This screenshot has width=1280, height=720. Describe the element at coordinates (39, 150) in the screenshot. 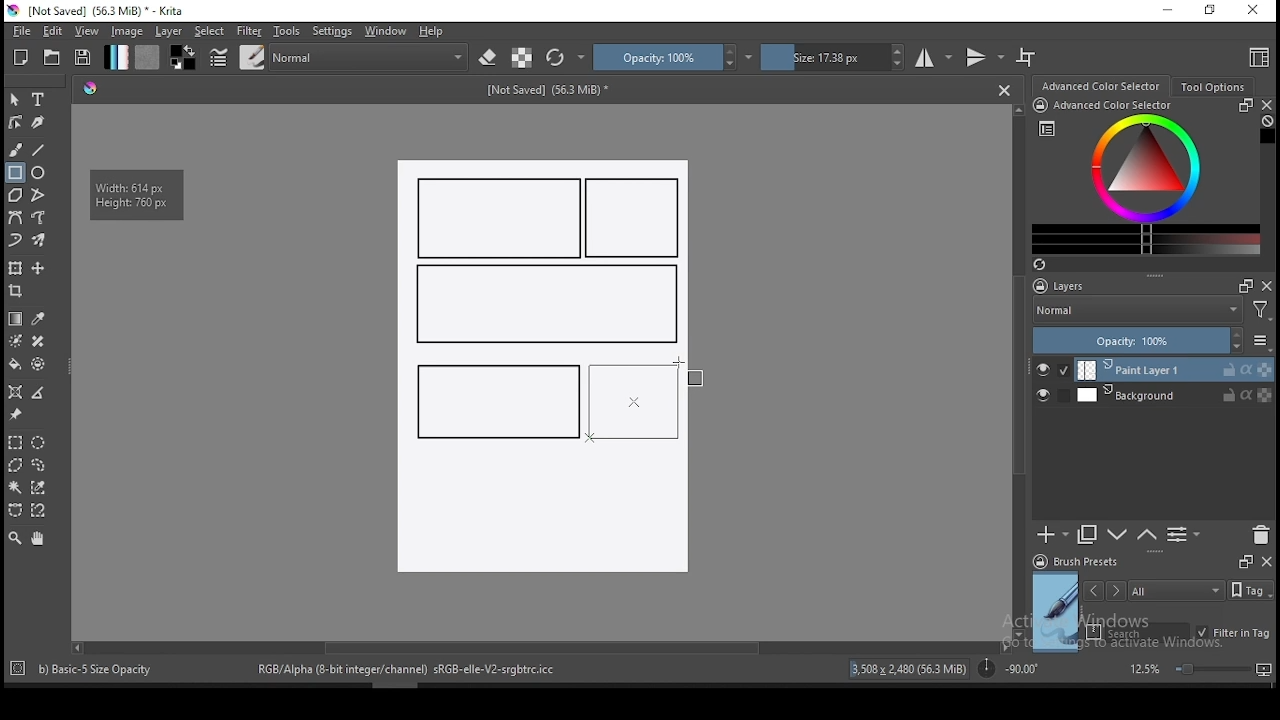

I see `line tool` at that location.